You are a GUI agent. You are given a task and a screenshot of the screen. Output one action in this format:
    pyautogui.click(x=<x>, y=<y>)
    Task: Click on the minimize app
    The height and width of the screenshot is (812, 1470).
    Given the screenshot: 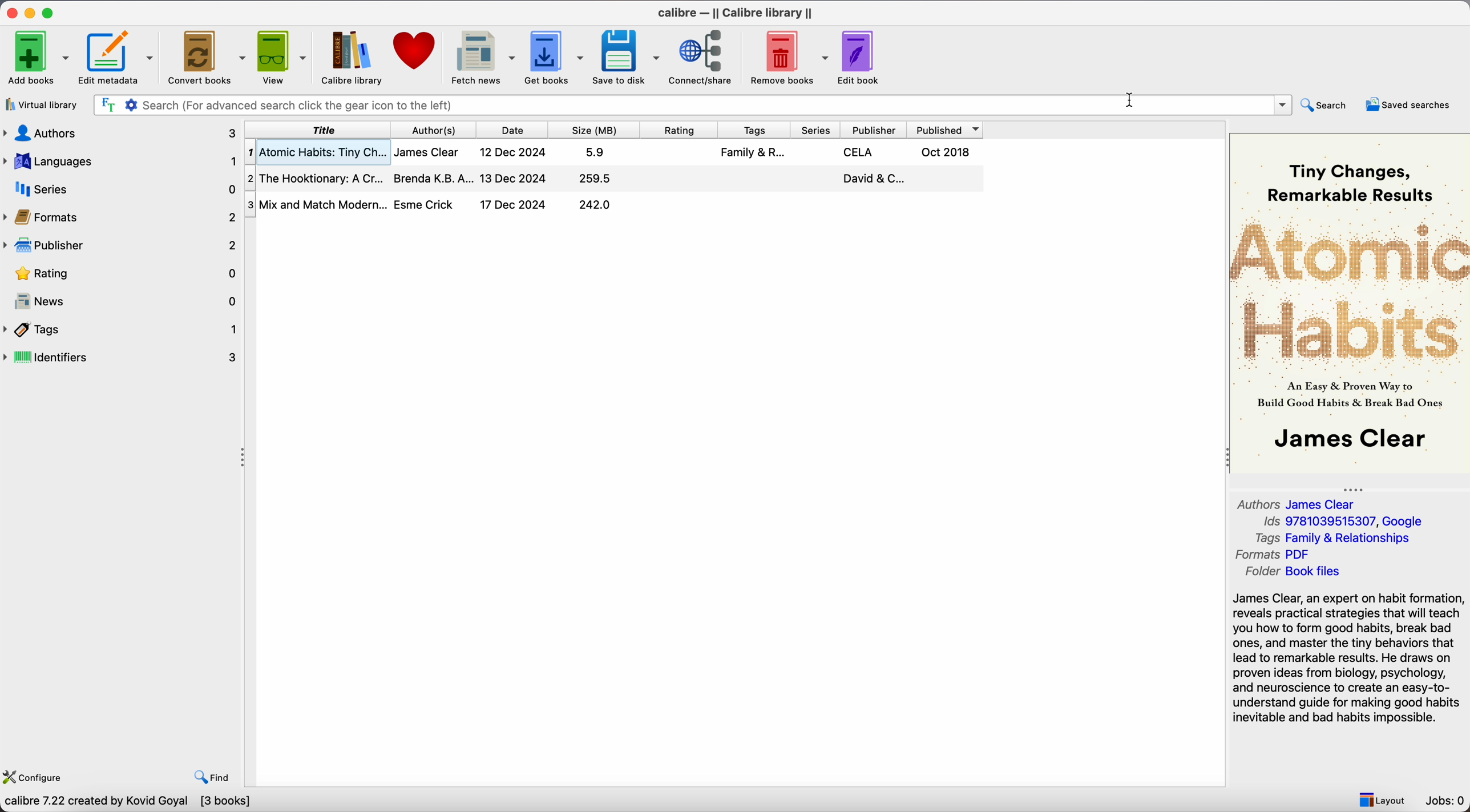 What is the action you would take?
    pyautogui.click(x=32, y=11)
    